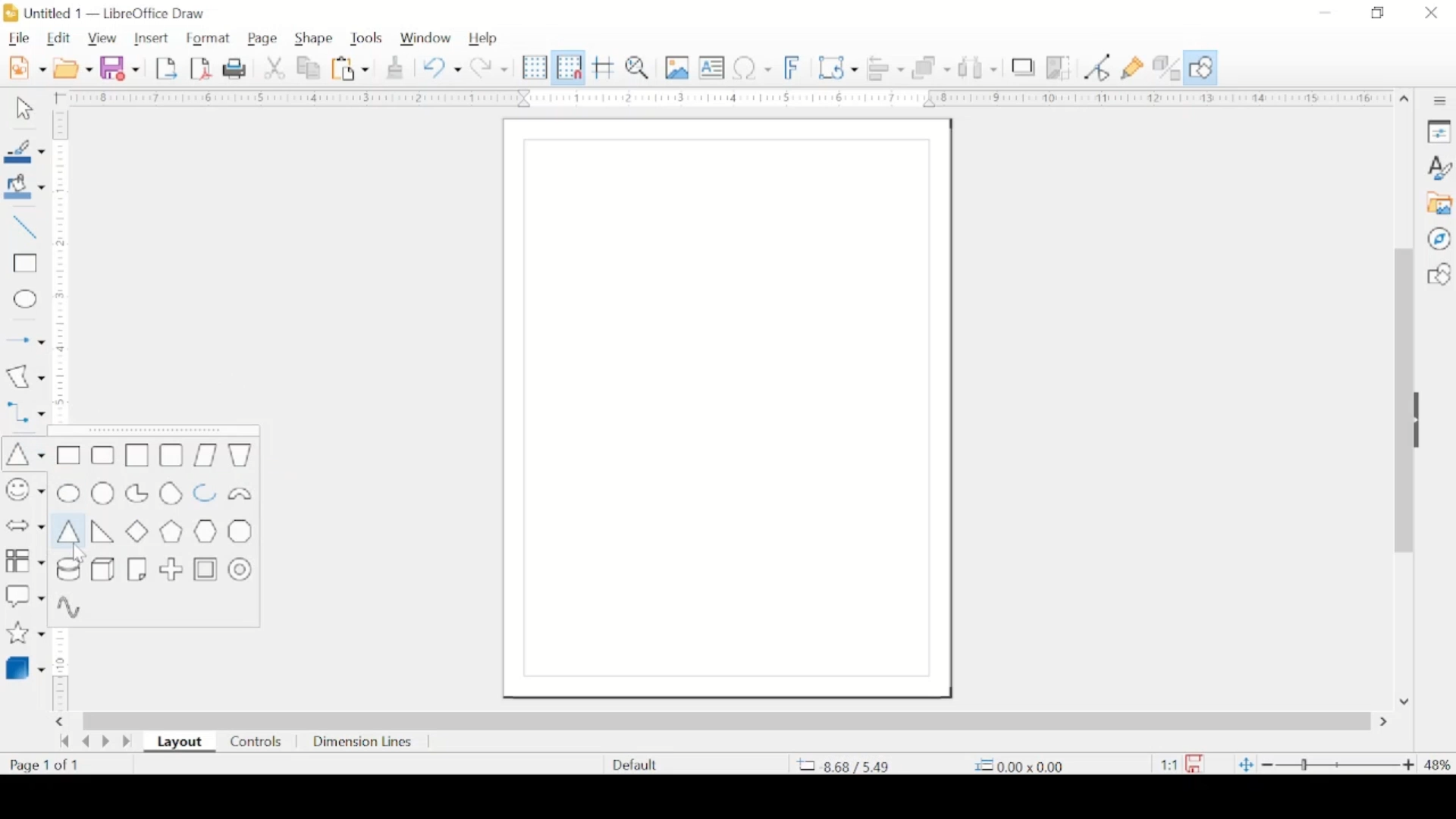 The image size is (1456, 819). What do you see at coordinates (255, 742) in the screenshot?
I see `controls` at bounding box center [255, 742].